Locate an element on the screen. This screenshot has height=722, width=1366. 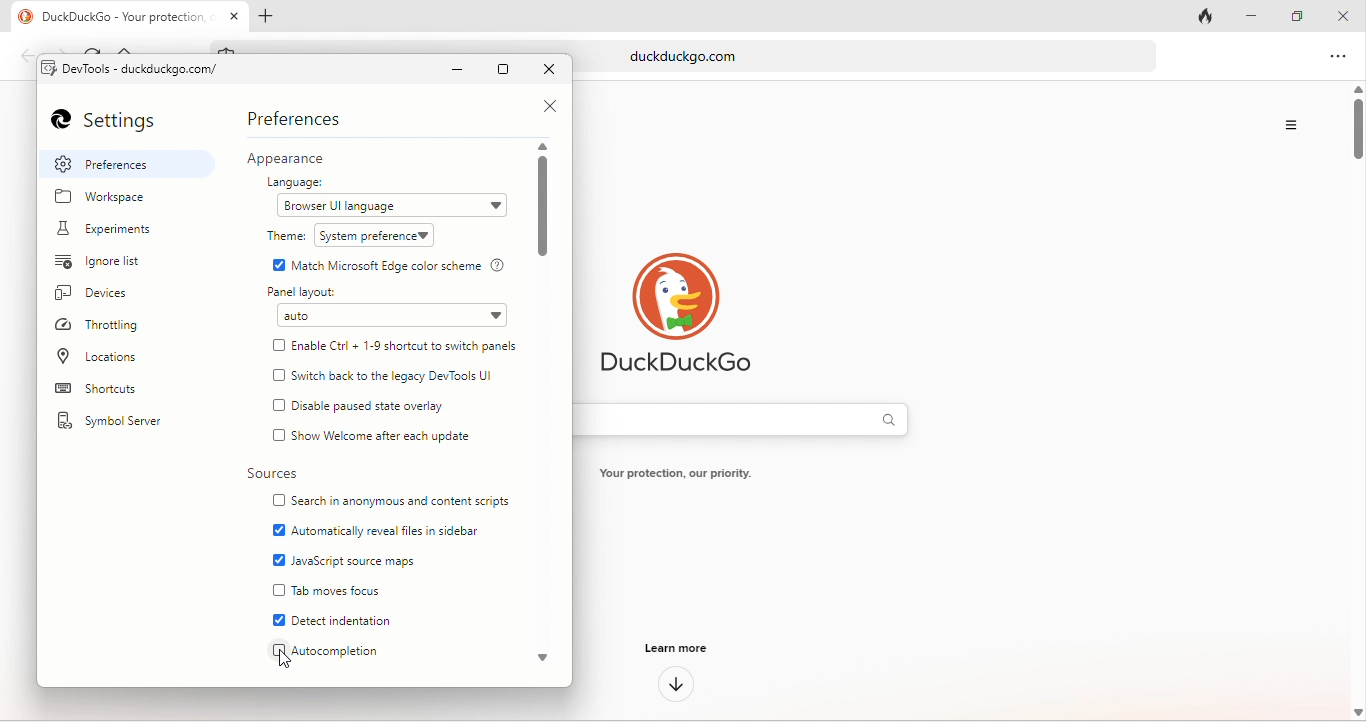
Autocompletion is located at coordinates (336, 651).